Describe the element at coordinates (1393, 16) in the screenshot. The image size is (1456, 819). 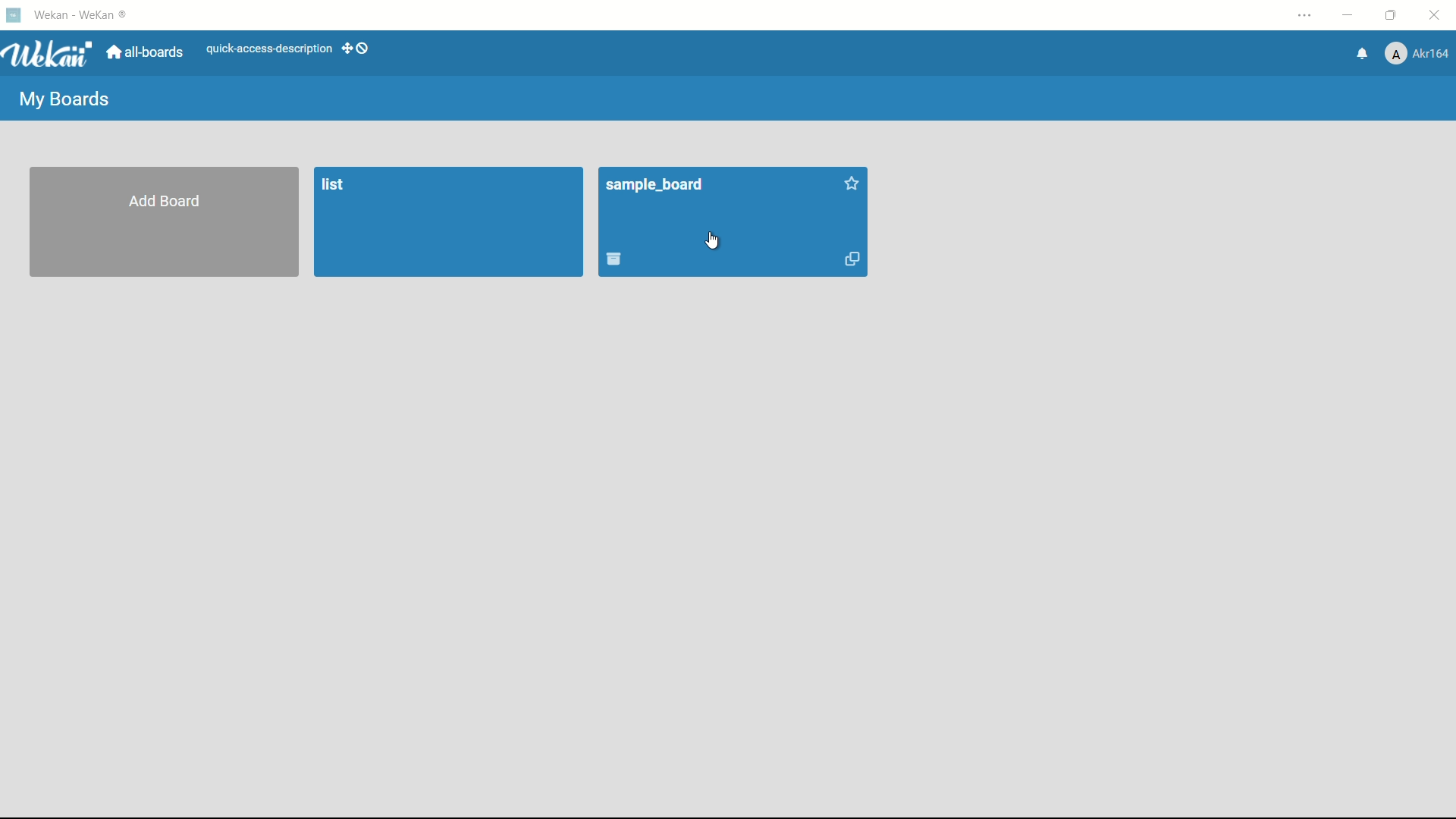
I see `maximize` at that location.